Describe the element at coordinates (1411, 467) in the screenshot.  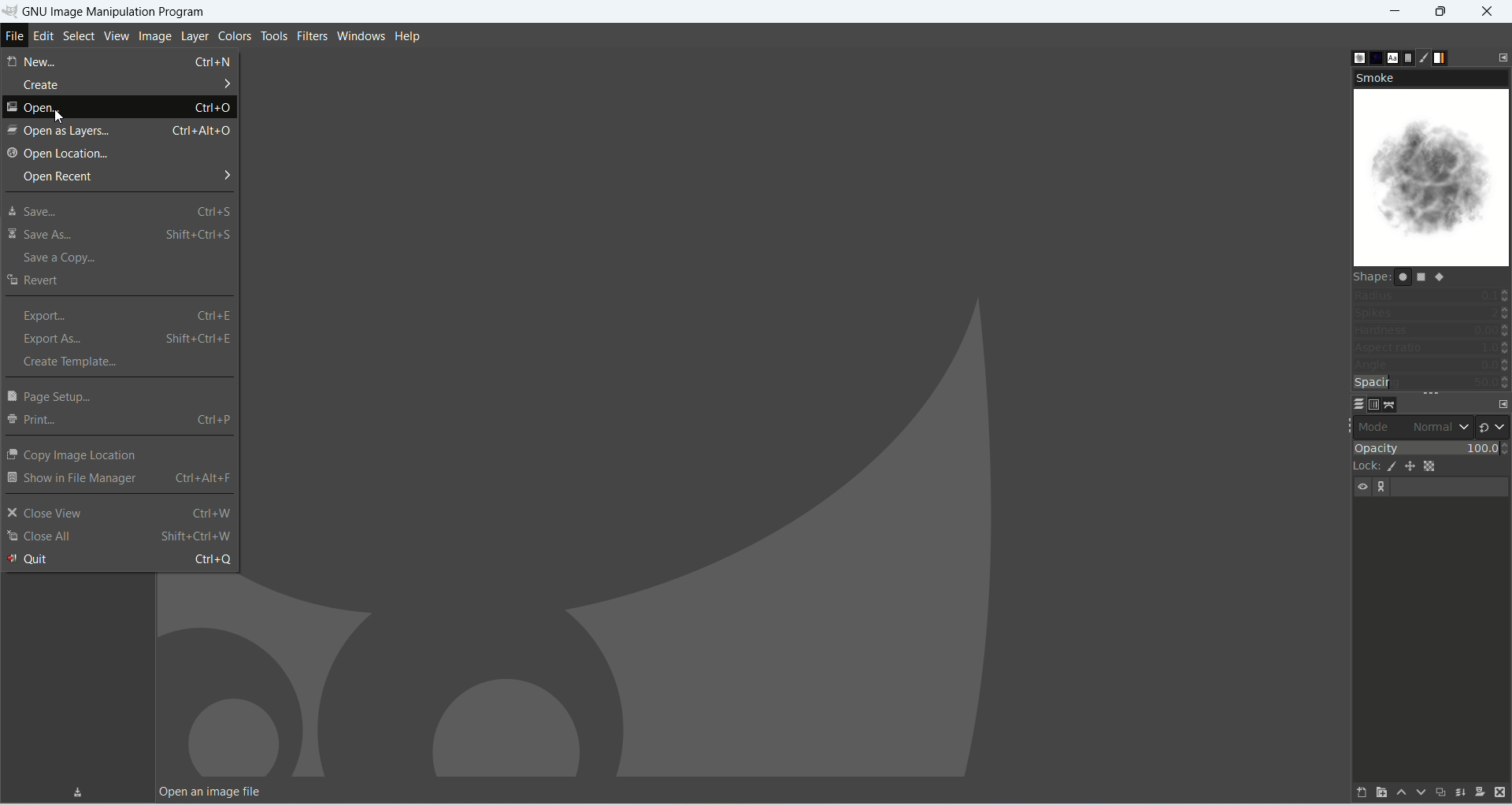
I see `lock position and size` at that location.